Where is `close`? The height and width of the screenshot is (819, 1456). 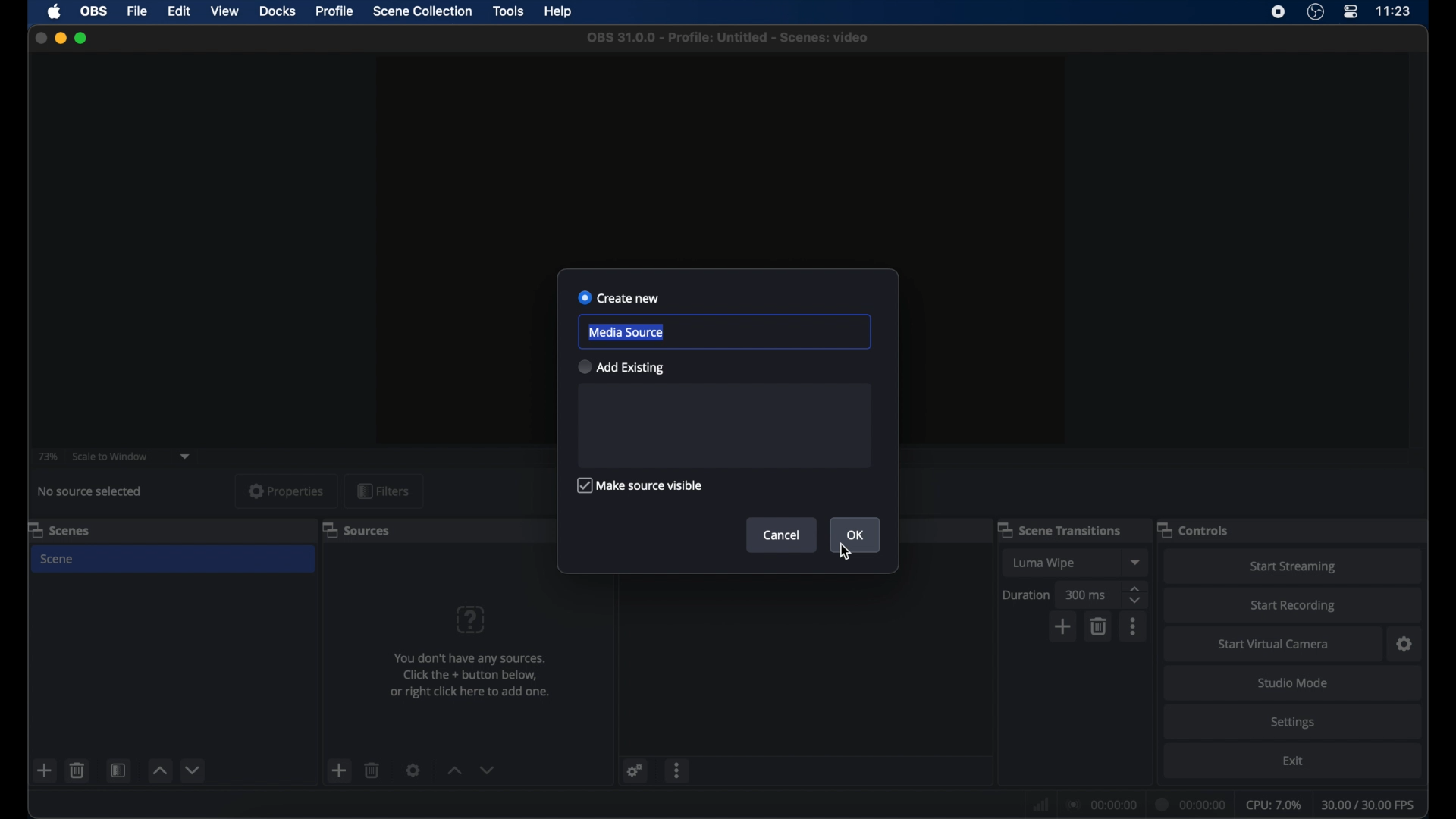
close is located at coordinates (40, 37).